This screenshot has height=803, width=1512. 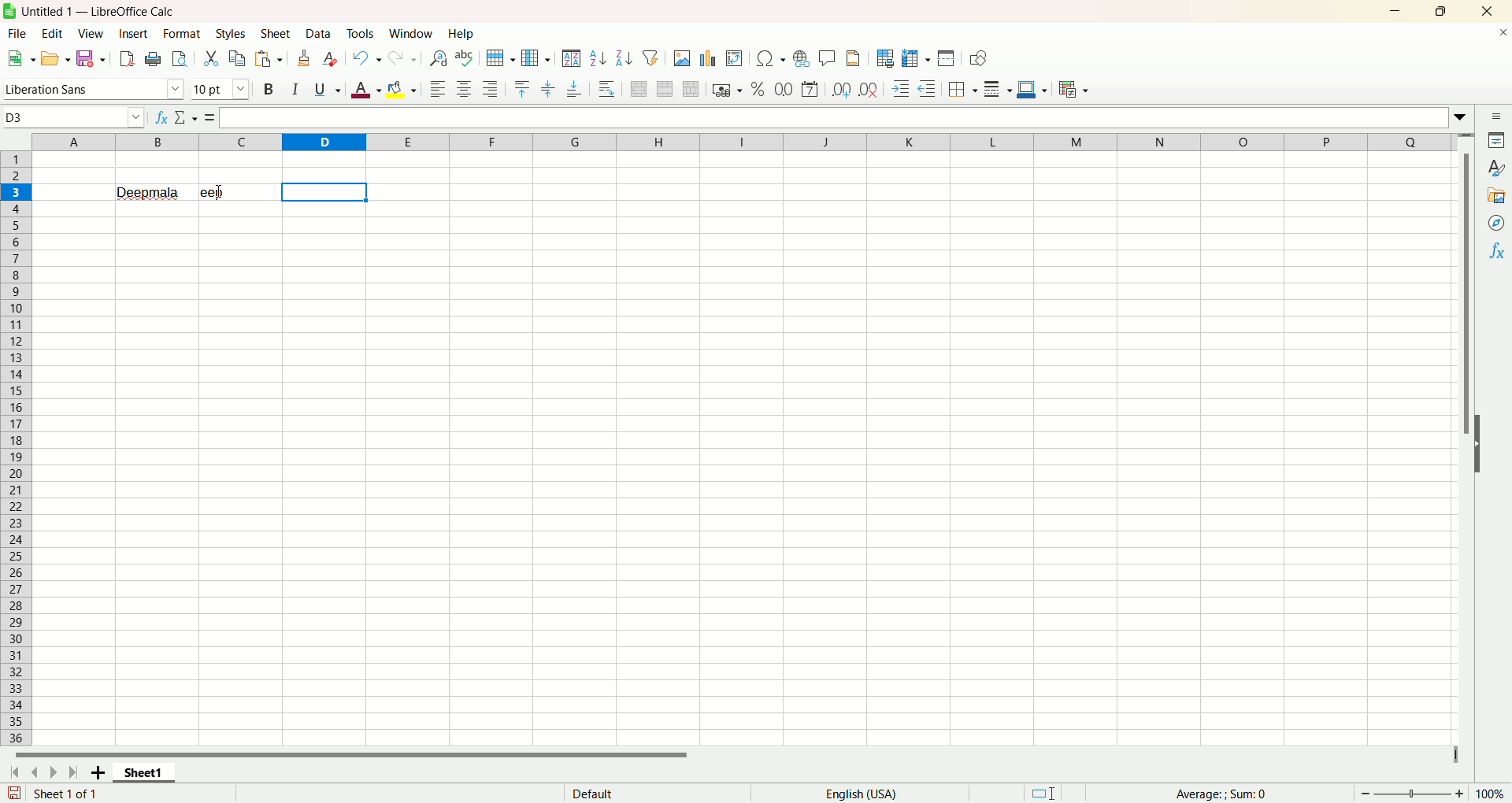 I want to click on Undo, so click(x=369, y=57).